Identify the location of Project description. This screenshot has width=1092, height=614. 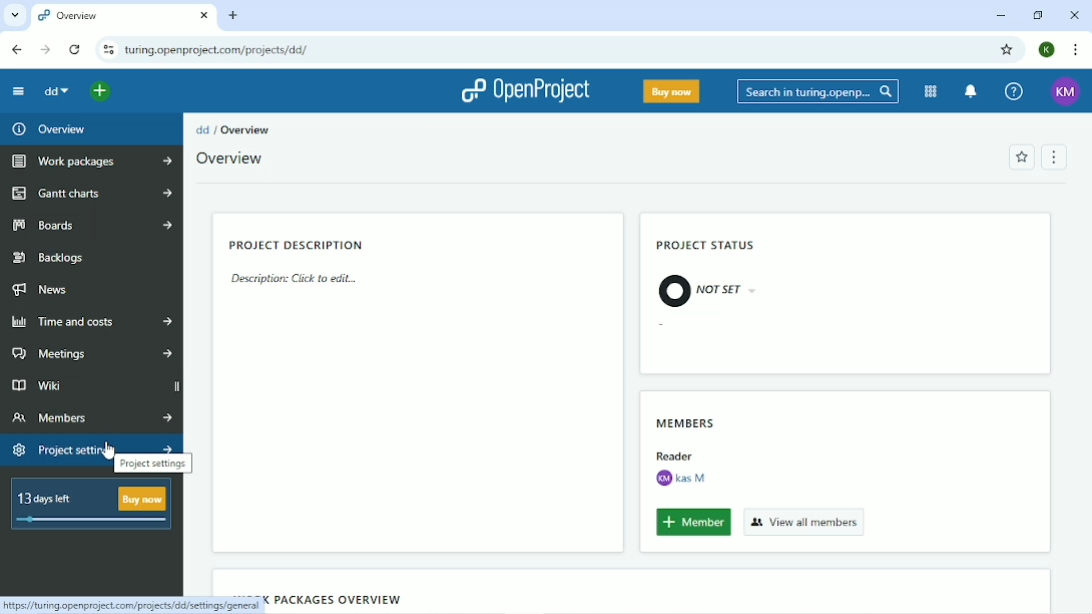
(295, 246).